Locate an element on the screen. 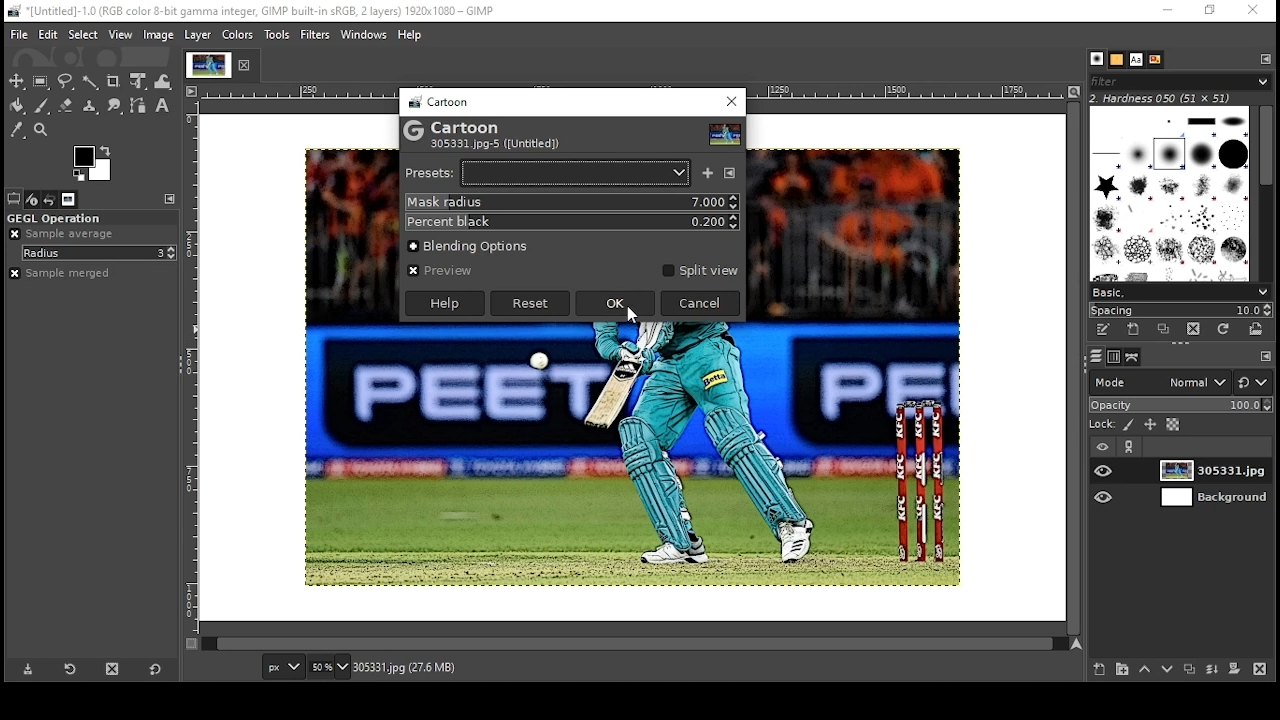 This screenshot has width=1280, height=720. blending options is located at coordinates (474, 245).